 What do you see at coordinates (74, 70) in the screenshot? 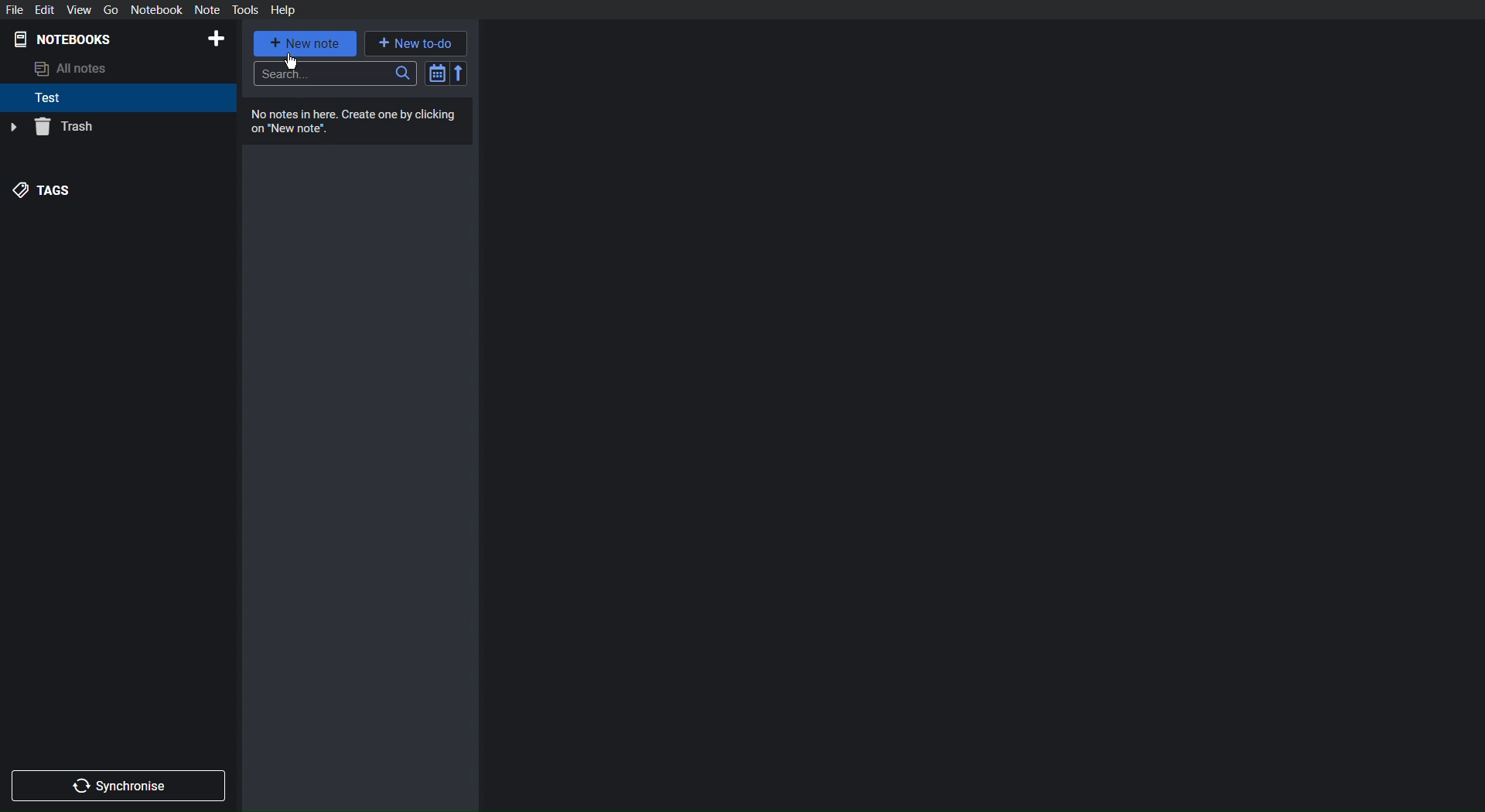
I see `All notes` at bounding box center [74, 70].